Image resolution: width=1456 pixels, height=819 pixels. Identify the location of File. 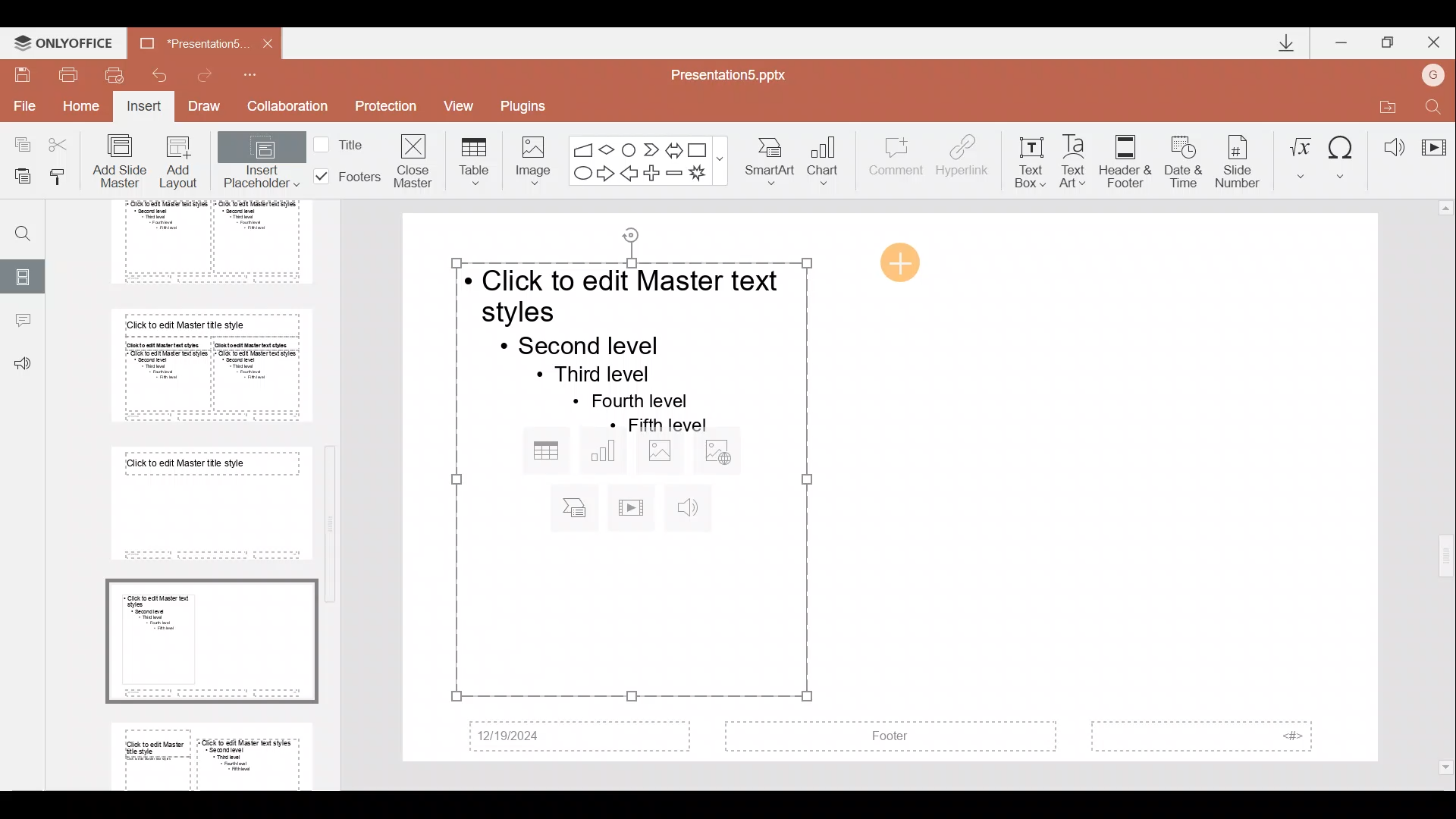
(22, 105).